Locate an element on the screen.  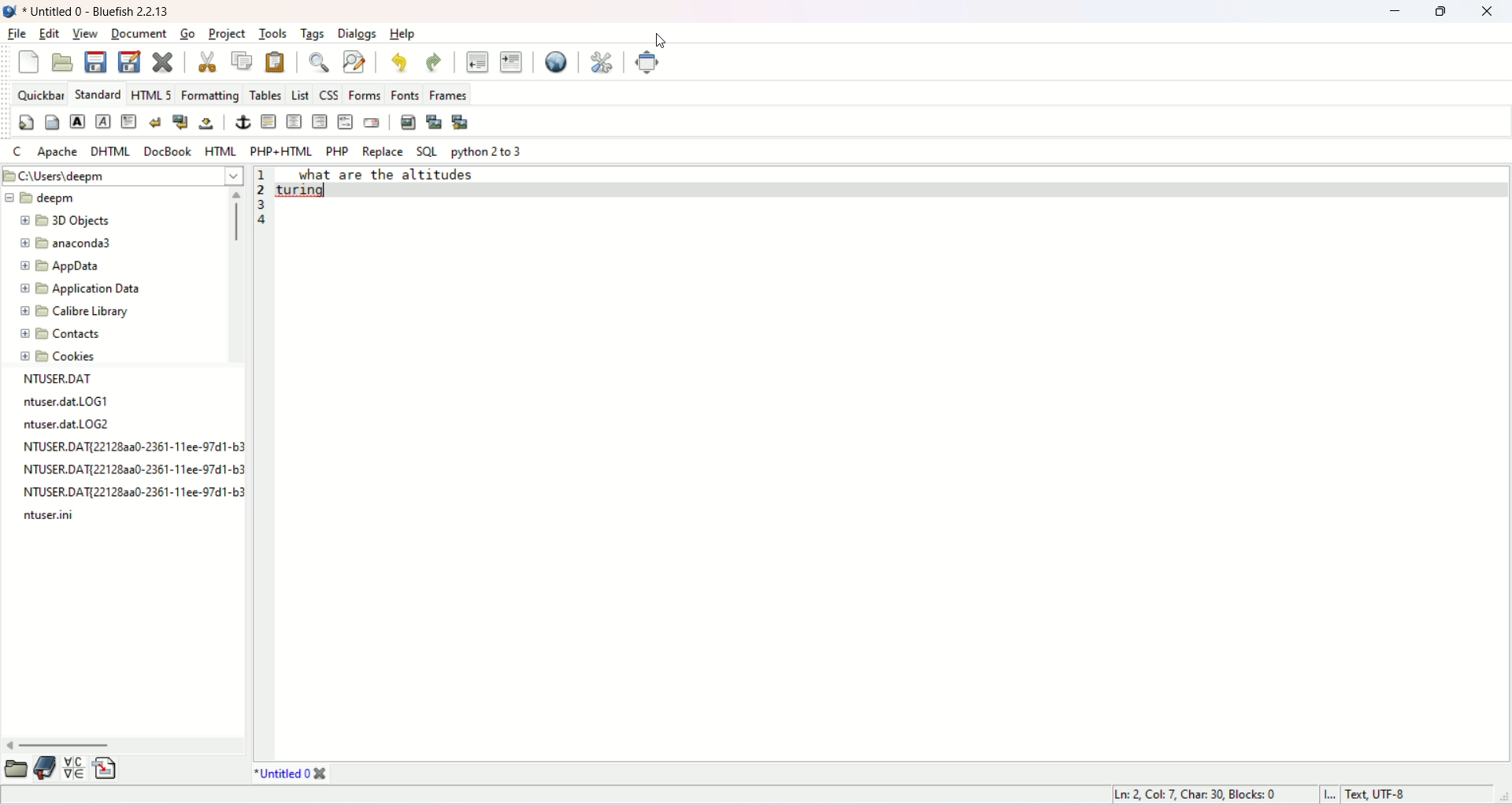
project is located at coordinates (227, 35).